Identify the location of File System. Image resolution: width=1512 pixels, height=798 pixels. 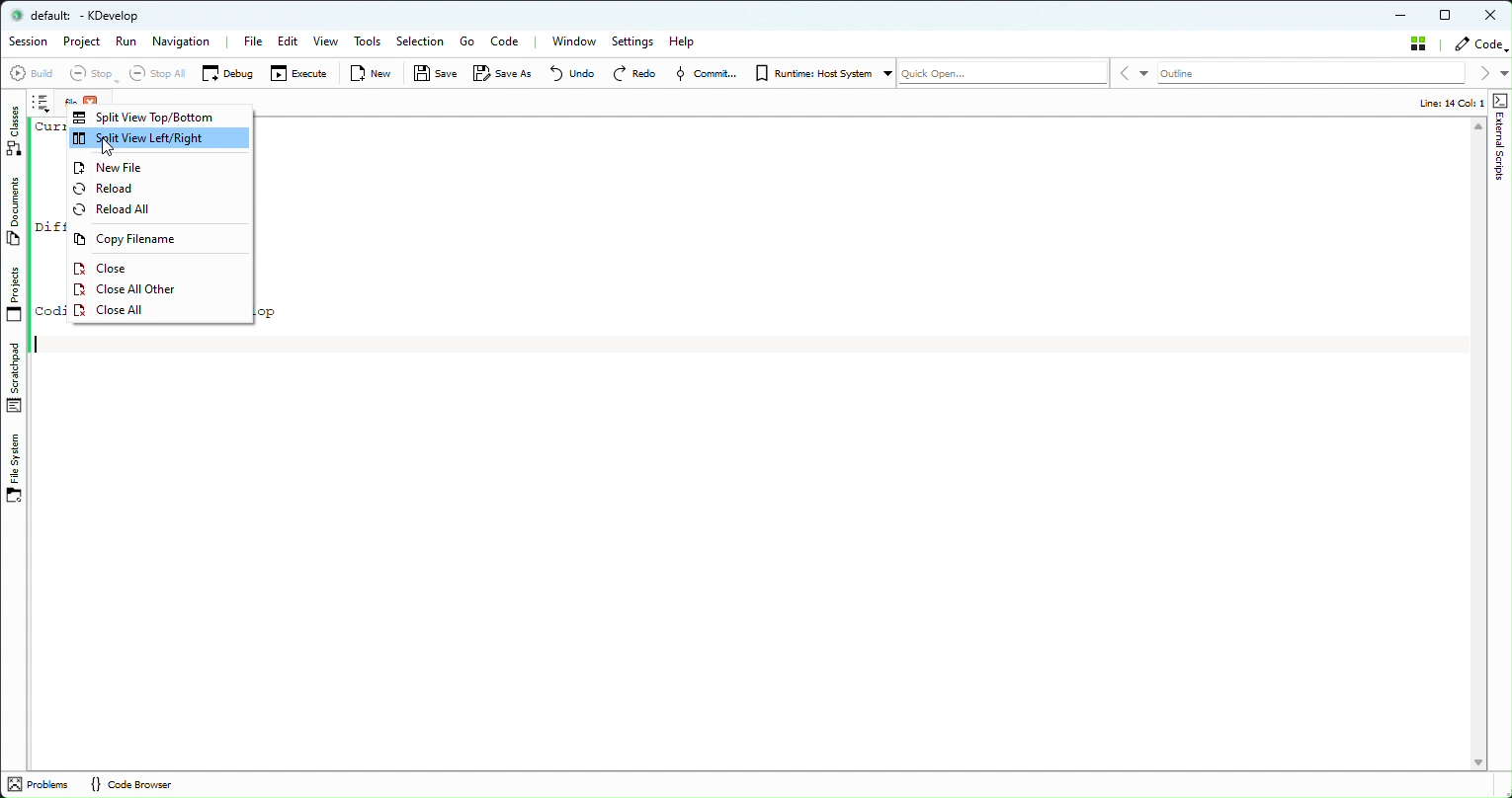
(15, 466).